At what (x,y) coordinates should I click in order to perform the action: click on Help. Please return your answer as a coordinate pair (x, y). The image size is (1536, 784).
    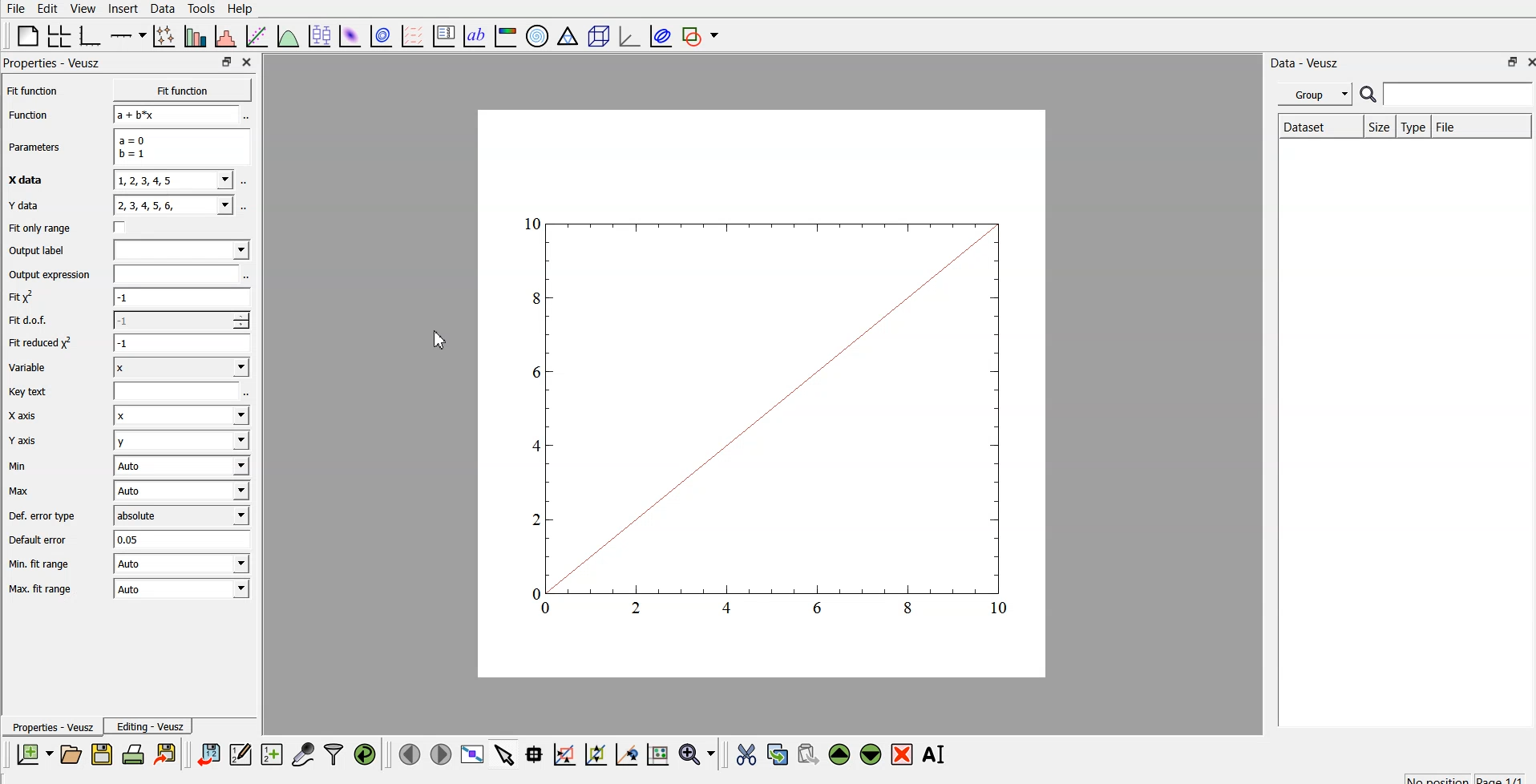
    Looking at the image, I should click on (241, 7).